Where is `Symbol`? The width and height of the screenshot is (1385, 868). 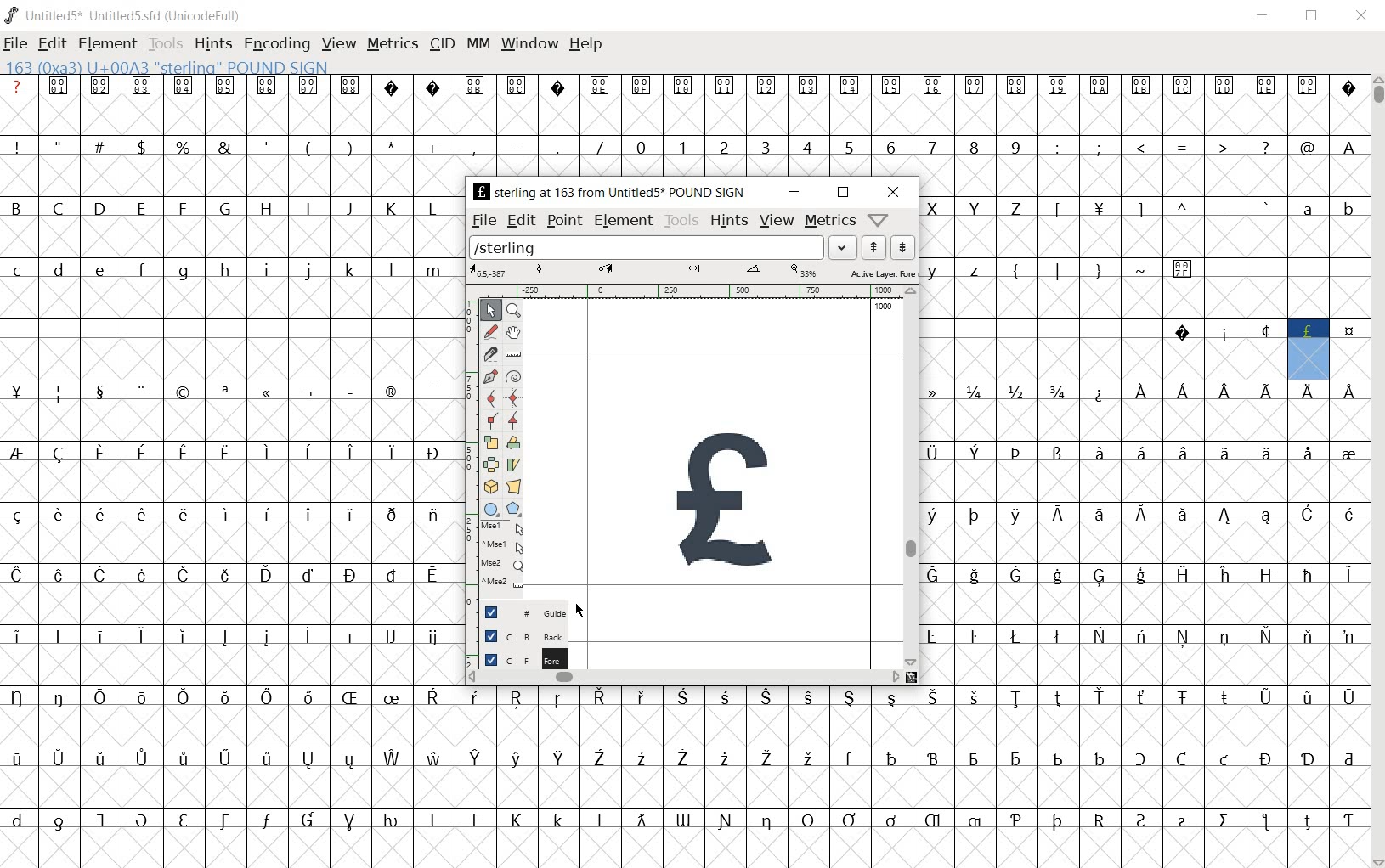 Symbol is located at coordinates (1098, 392).